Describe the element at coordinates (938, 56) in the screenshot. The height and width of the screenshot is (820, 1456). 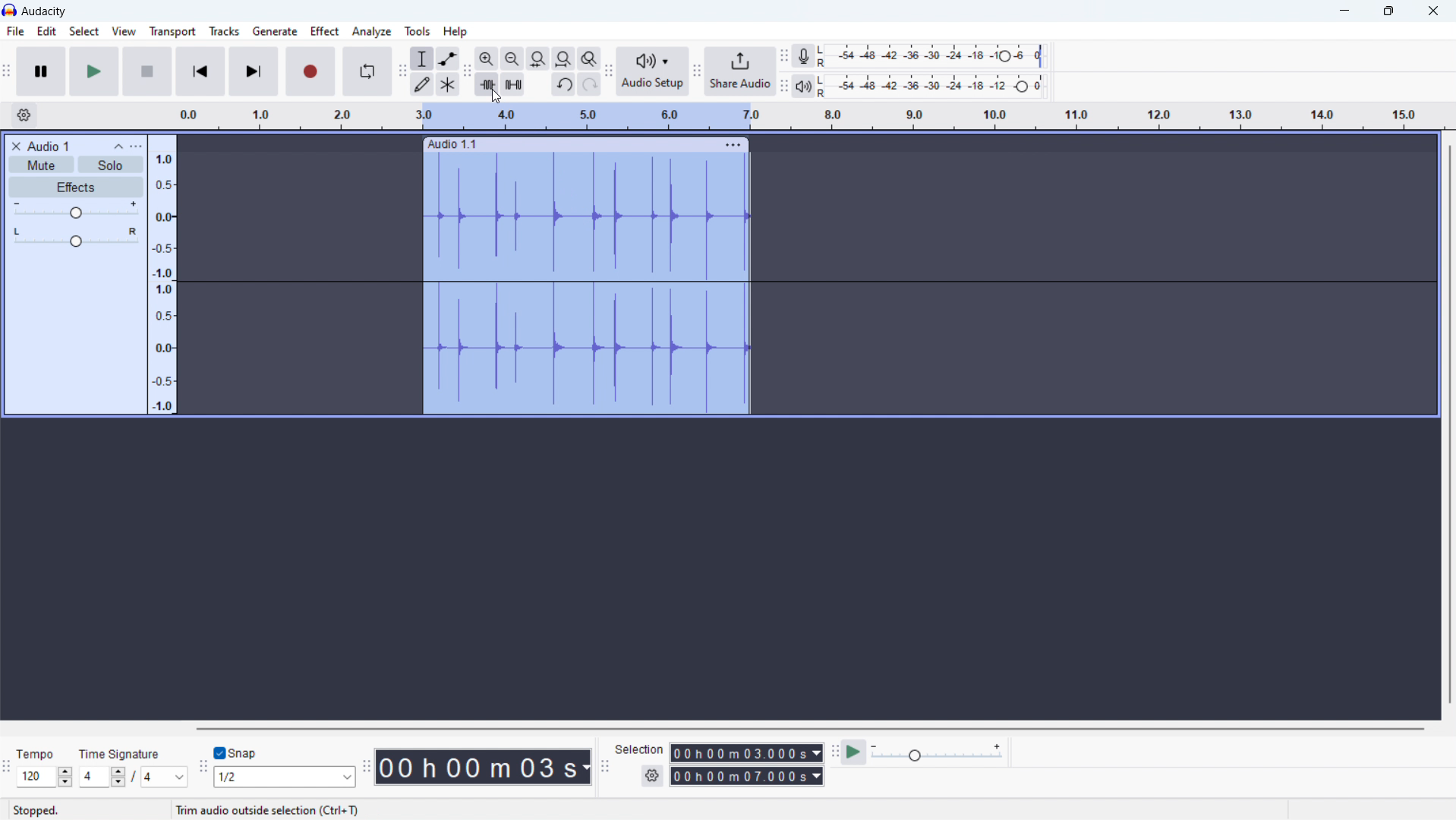
I see `record level` at that location.